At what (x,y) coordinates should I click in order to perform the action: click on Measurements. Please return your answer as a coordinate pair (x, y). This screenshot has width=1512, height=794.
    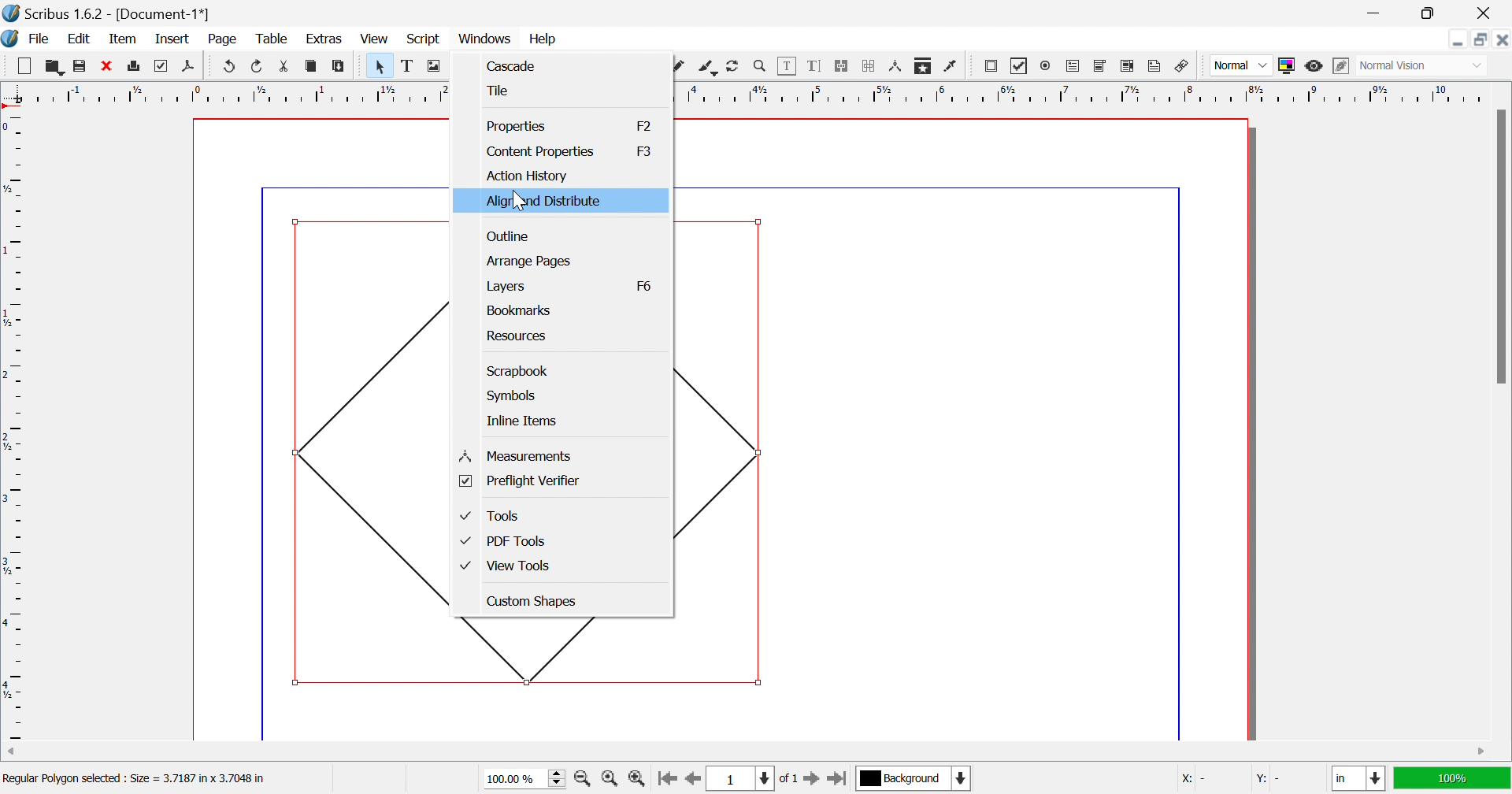
    Looking at the image, I should click on (518, 456).